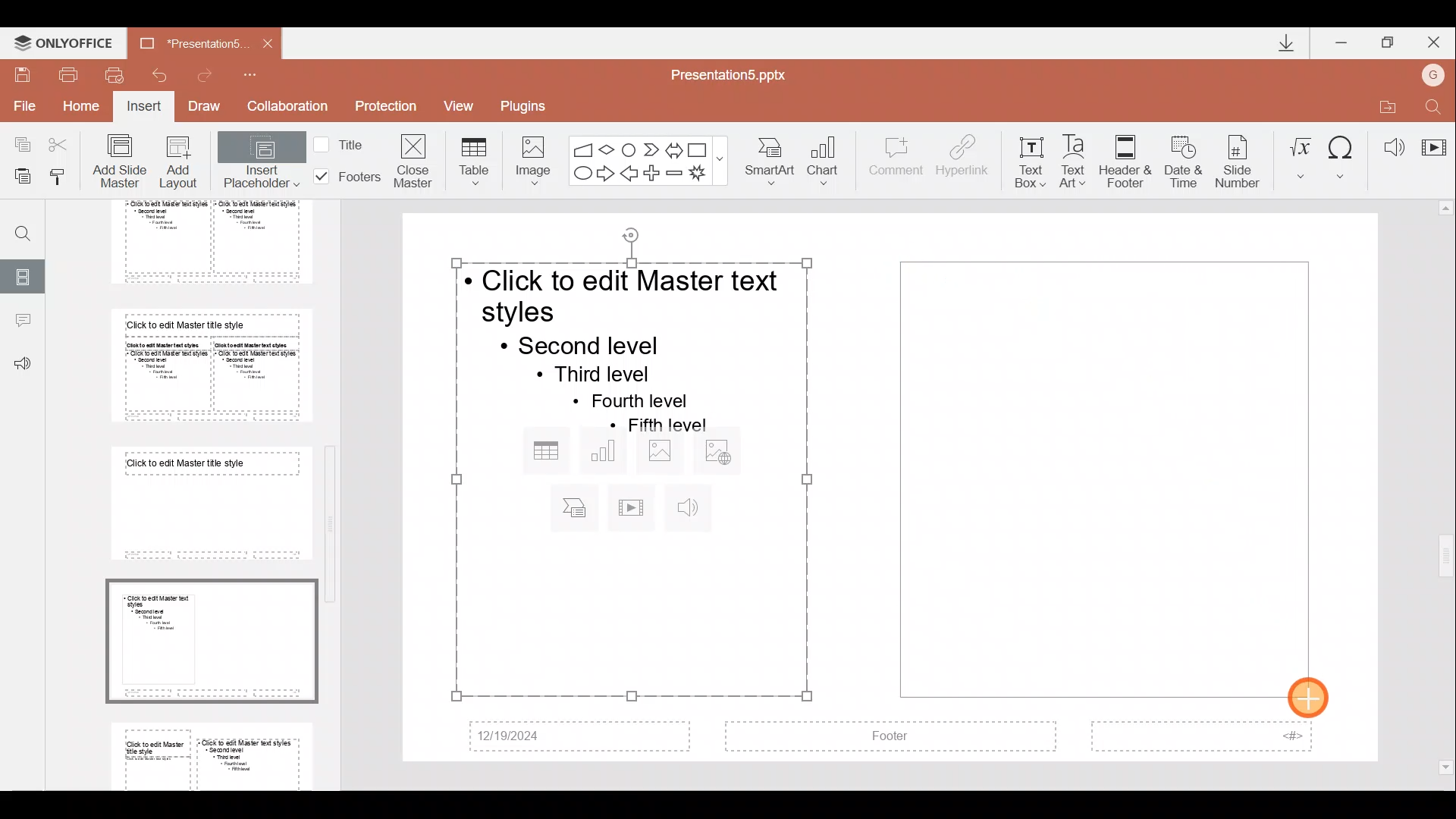 This screenshot has height=819, width=1456. What do you see at coordinates (215, 753) in the screenshot?
I see `Slide 9` at bounding box center [215, 753].